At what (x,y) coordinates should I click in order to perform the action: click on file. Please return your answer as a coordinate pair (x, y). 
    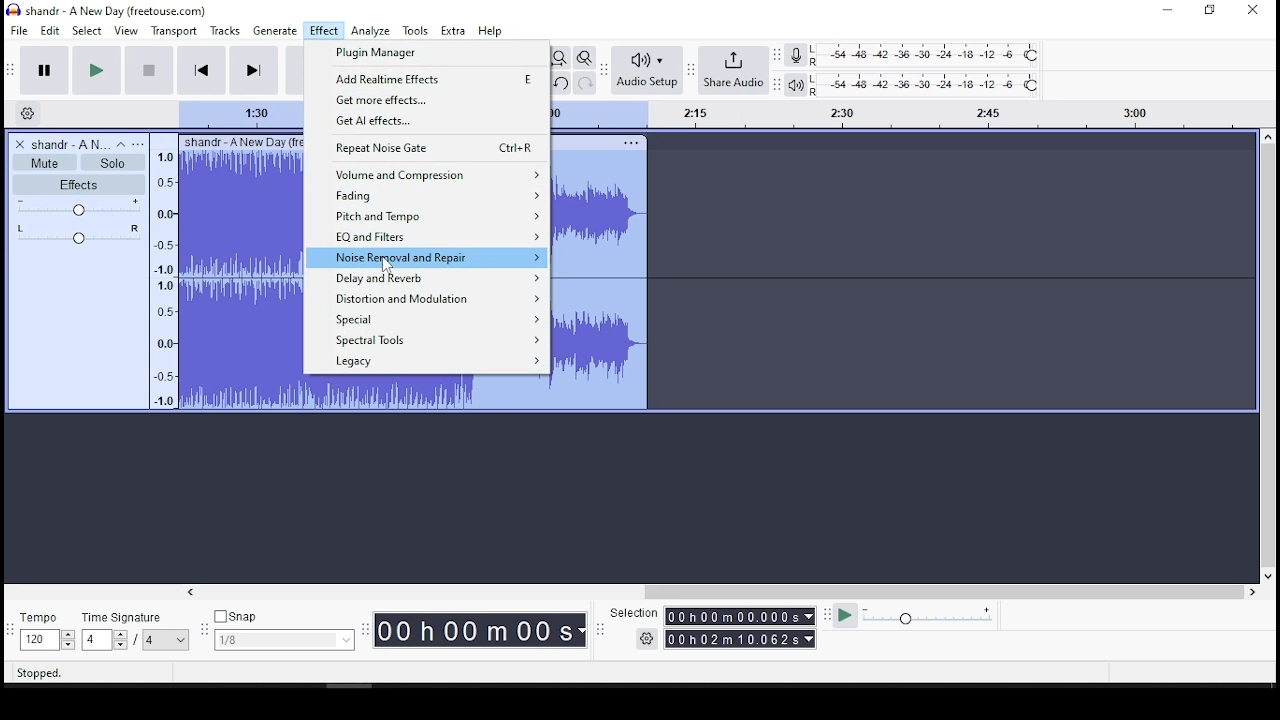
    Looking at the image, I should click on (18, 30).